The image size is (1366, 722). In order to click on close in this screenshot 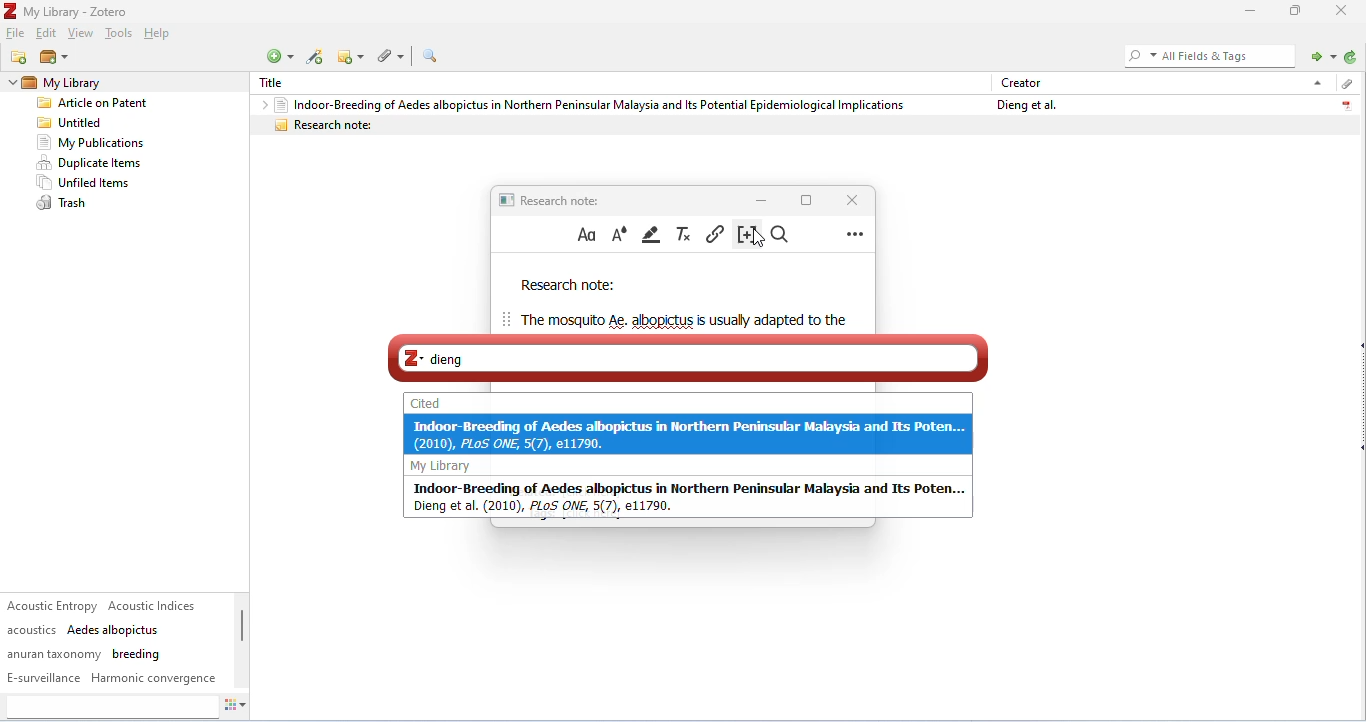, I will do `click(1344, 10)`.